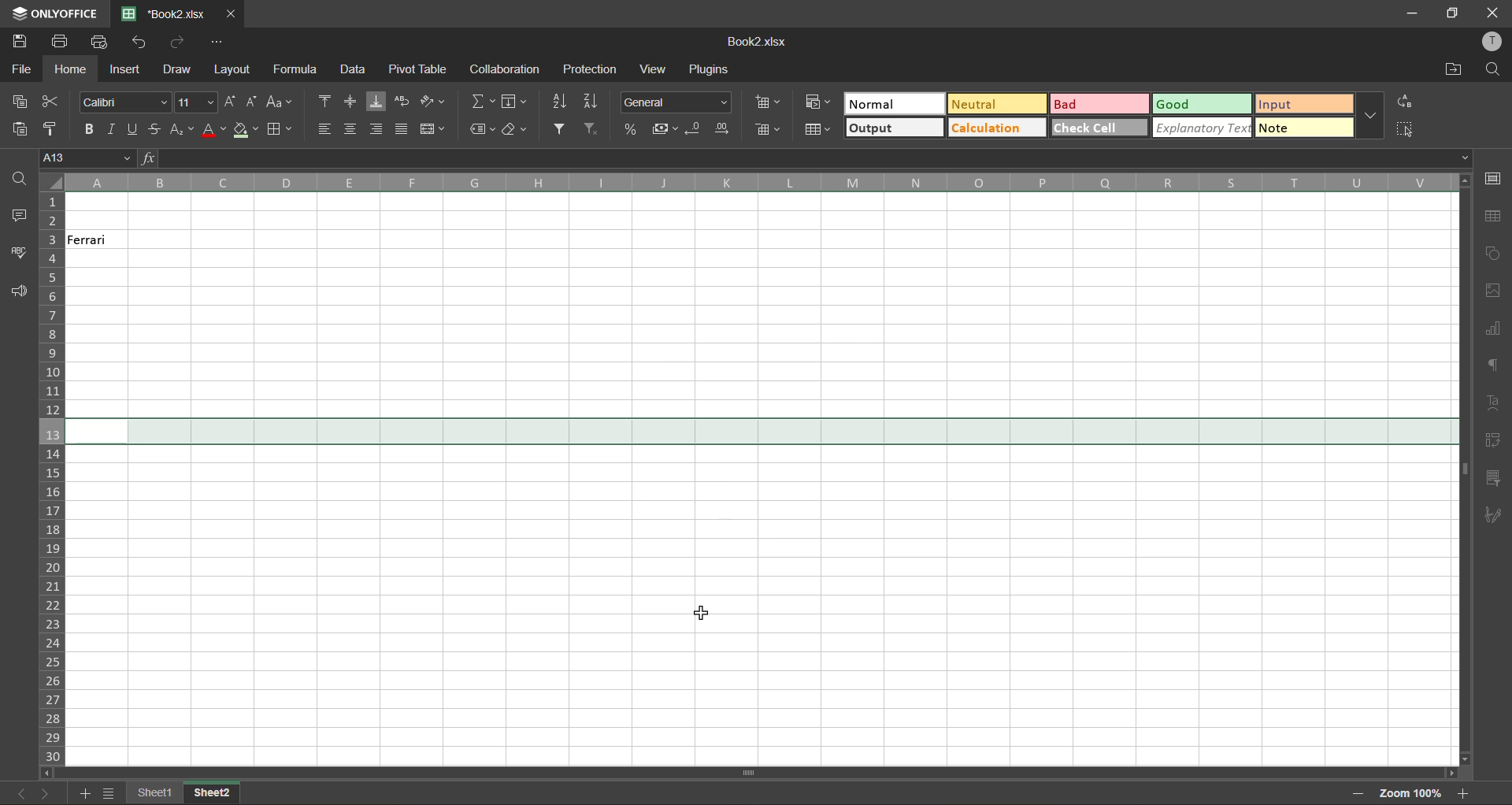  I want to click on increment size, so click(230, 102).